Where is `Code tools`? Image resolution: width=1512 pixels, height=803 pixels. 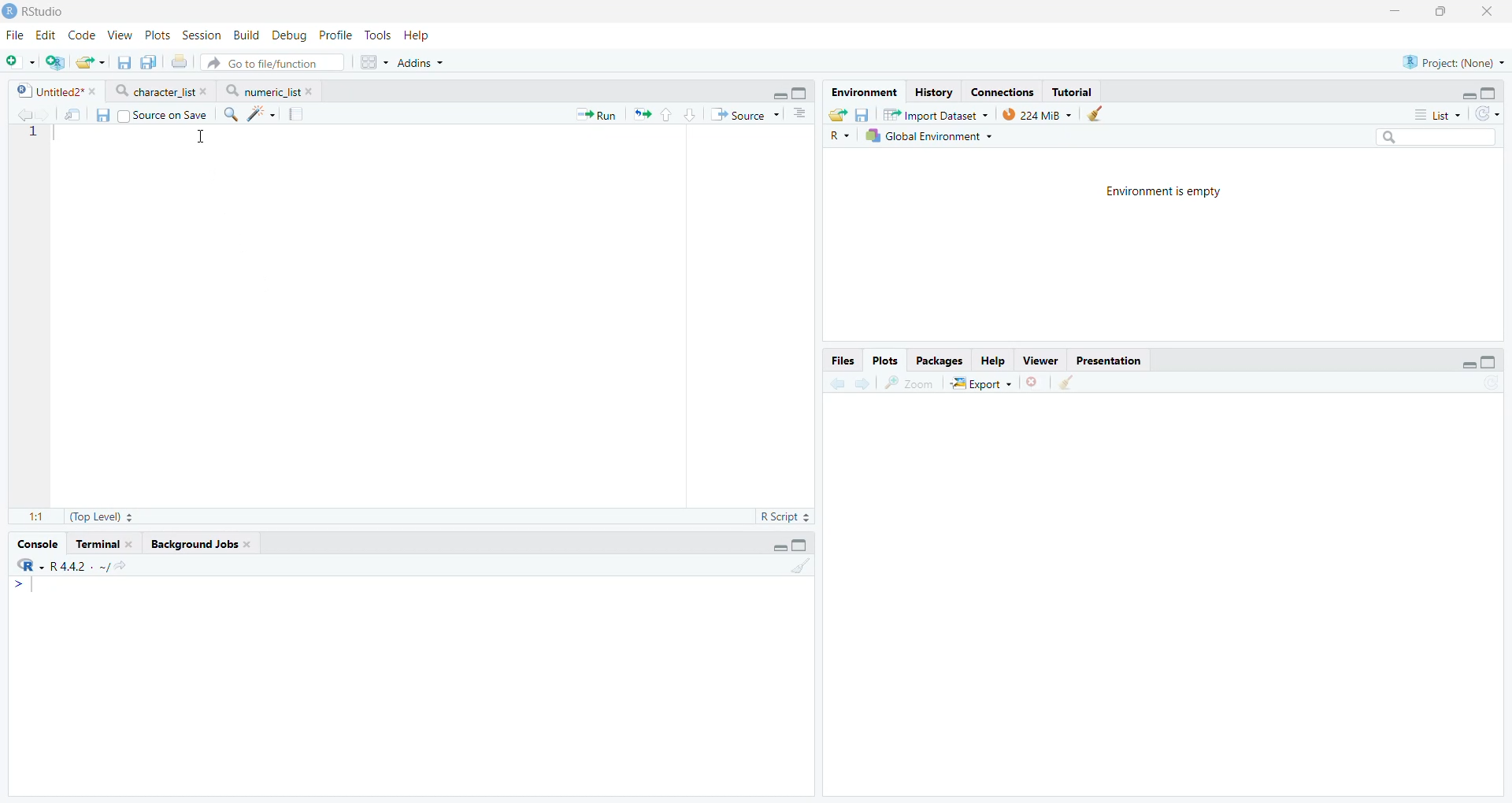 Code tools is located at coordinates (261, 114).